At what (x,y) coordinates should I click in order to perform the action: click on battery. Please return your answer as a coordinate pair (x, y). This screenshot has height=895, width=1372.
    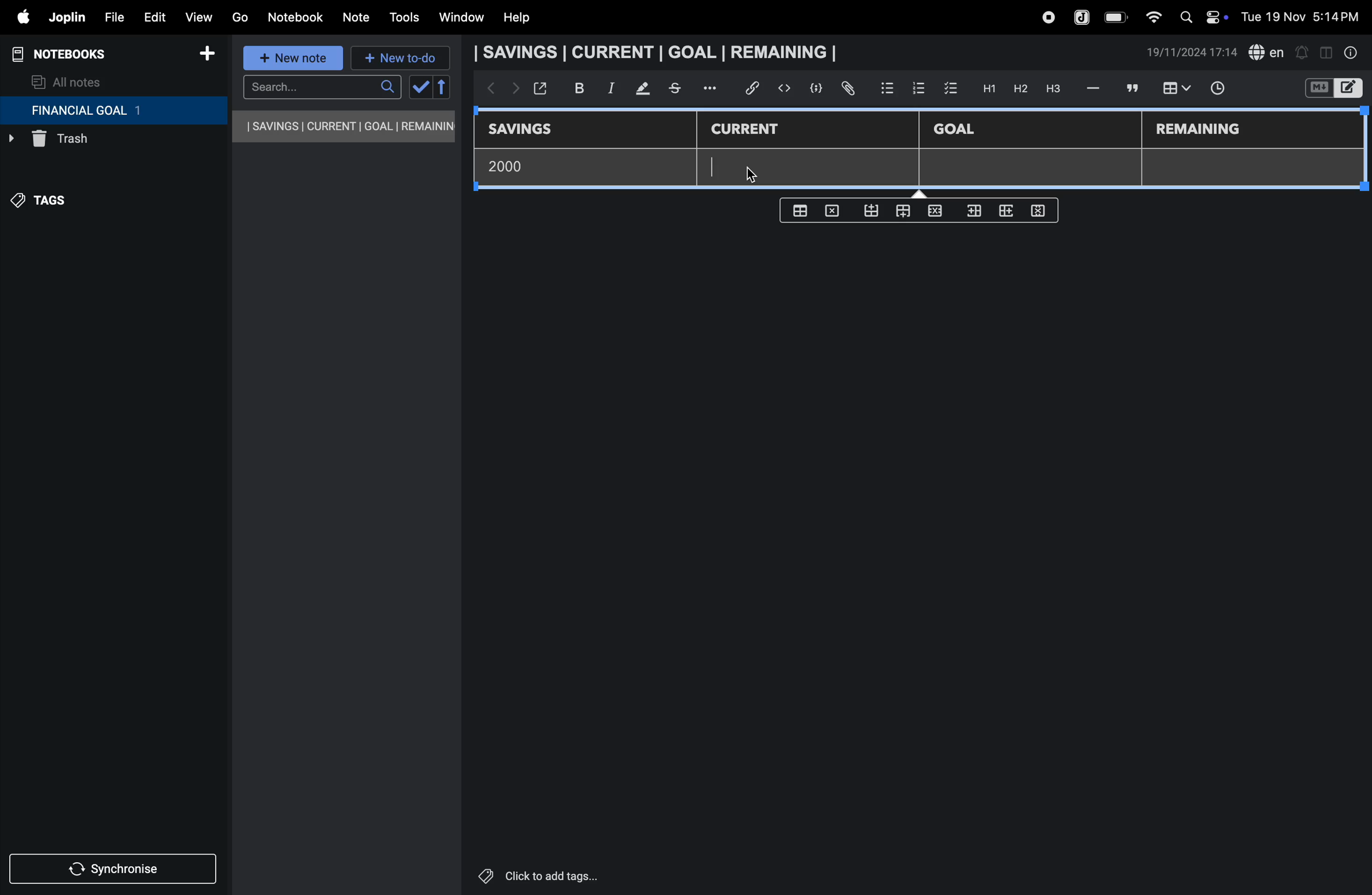
    Looking at the image, I should click on (1117, 17).